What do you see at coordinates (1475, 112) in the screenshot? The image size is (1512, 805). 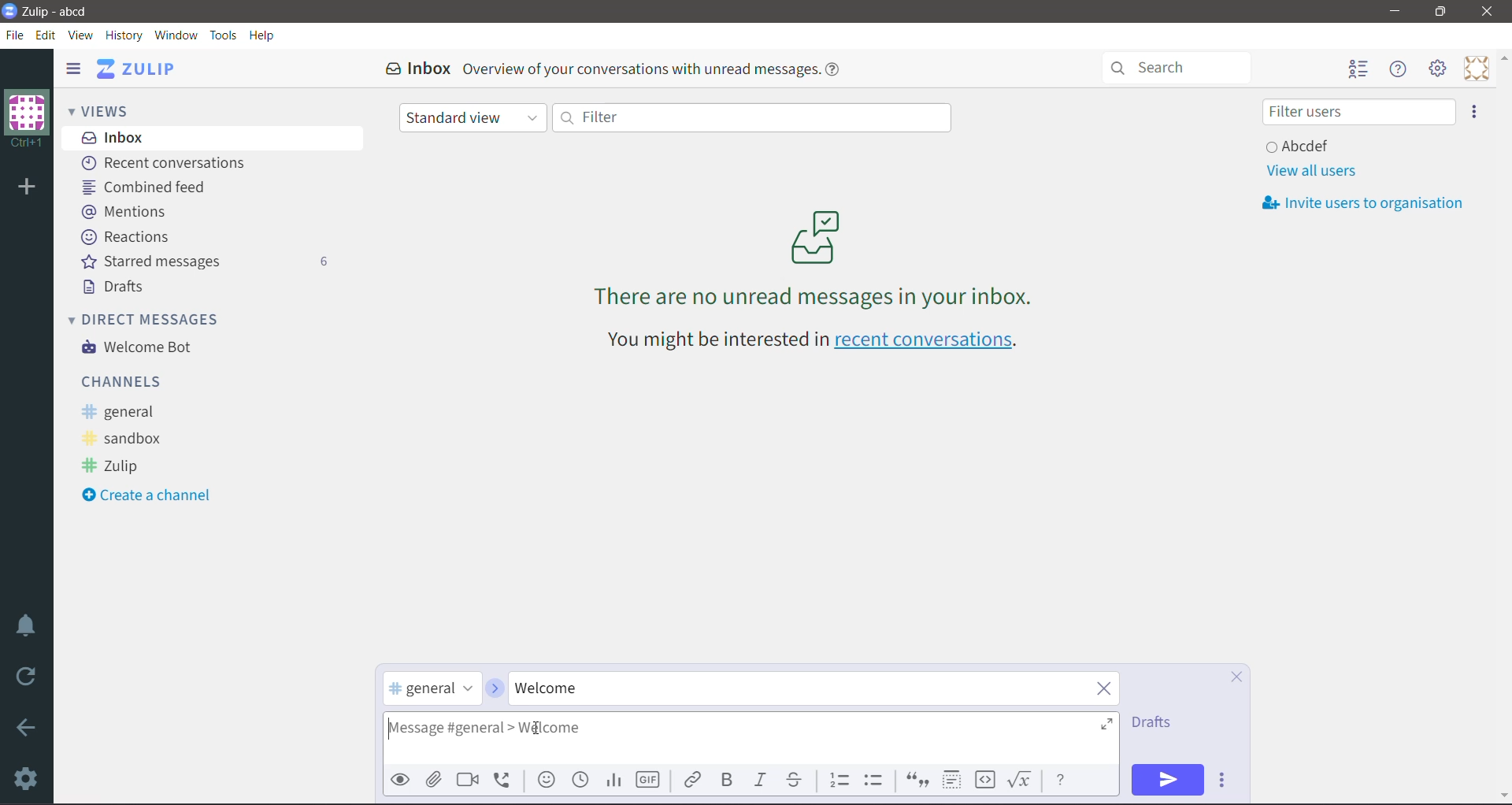 I see `Invite users to organization` at bounding box center [1475, 112].